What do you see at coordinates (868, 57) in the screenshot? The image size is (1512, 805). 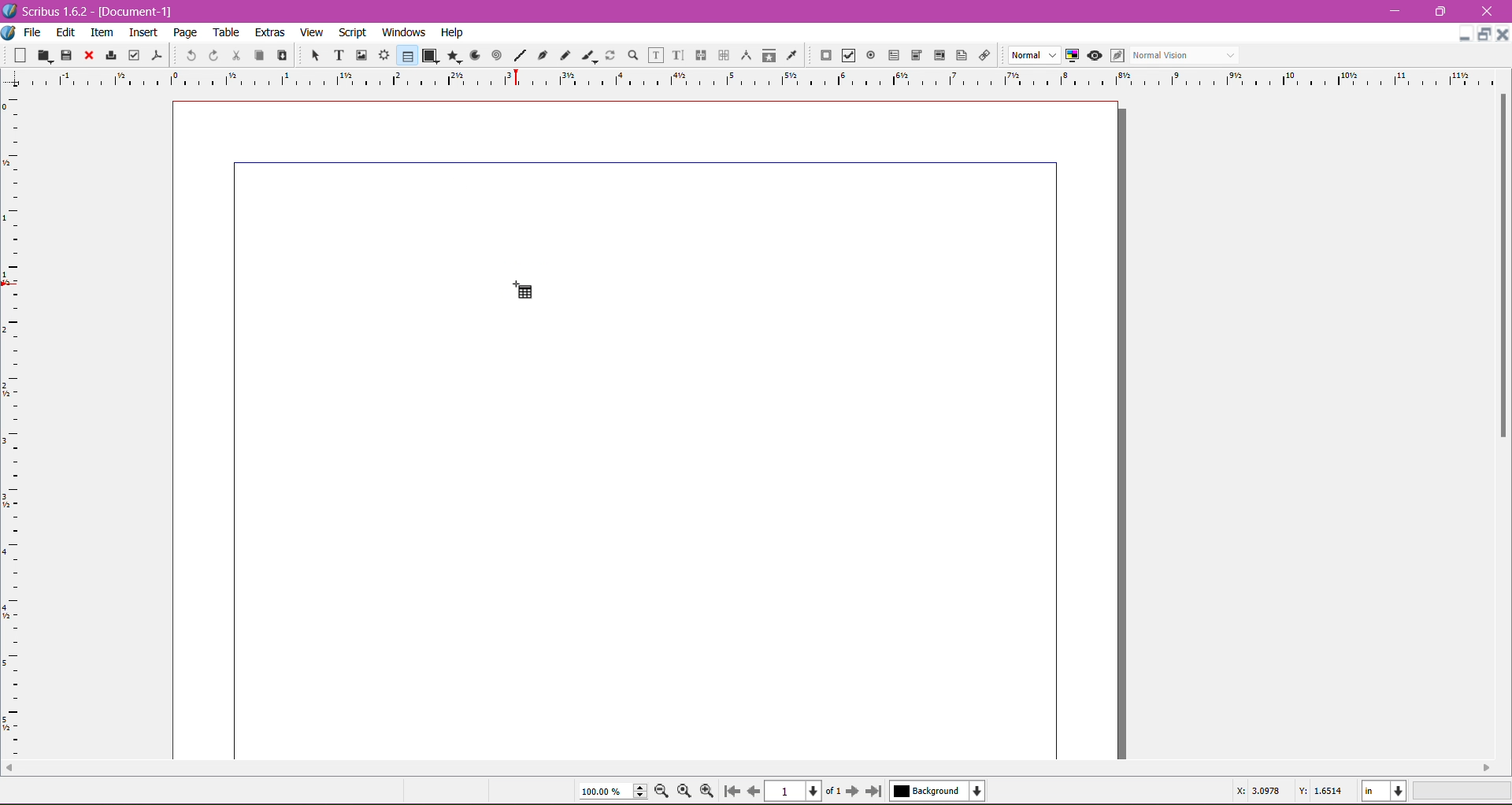 I see `PDF Radio Button` at bounding box center [868, 57].